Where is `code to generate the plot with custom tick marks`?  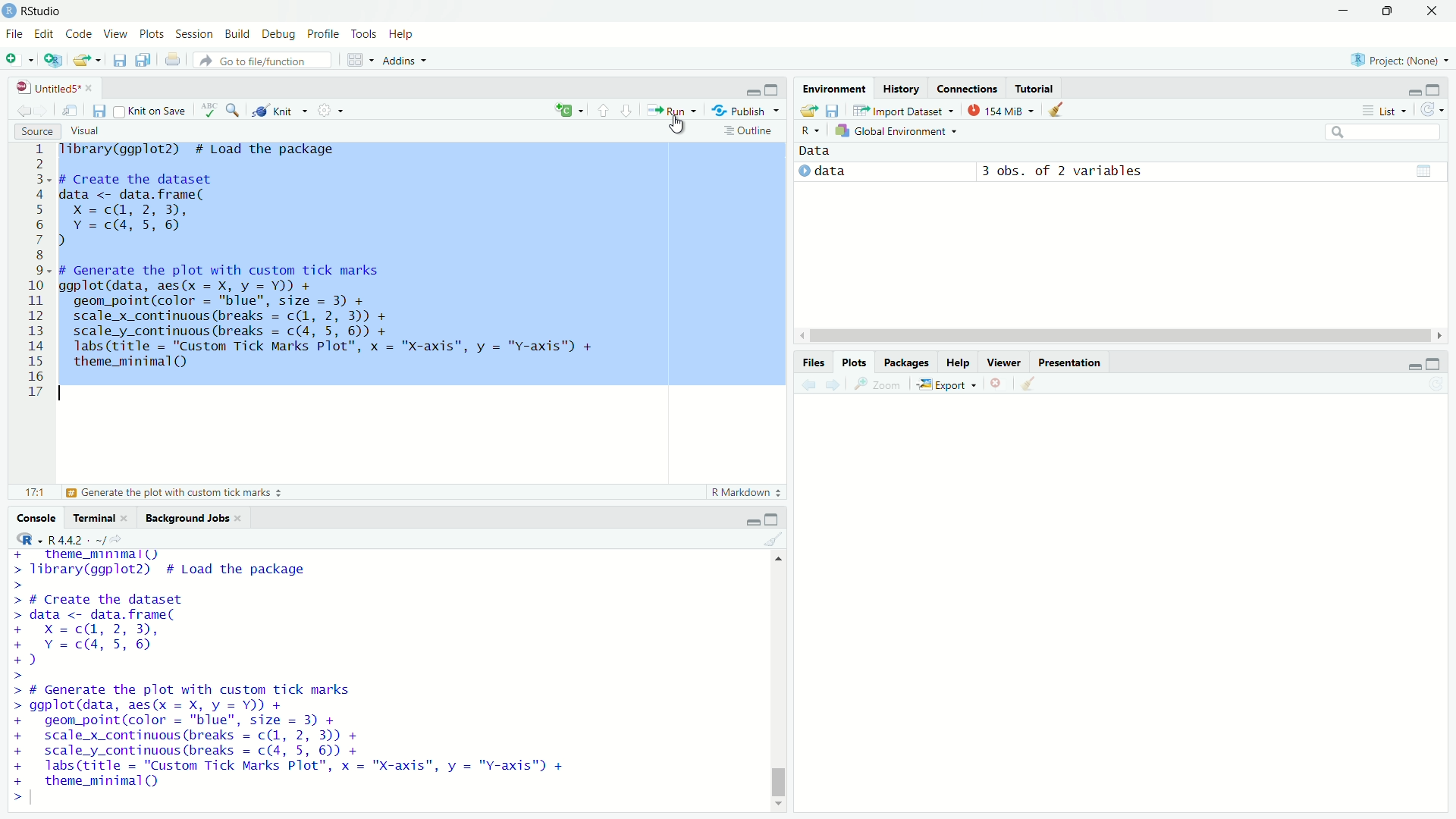
code to generate the plot with custom tick marks is located at coordinates (301, 735).